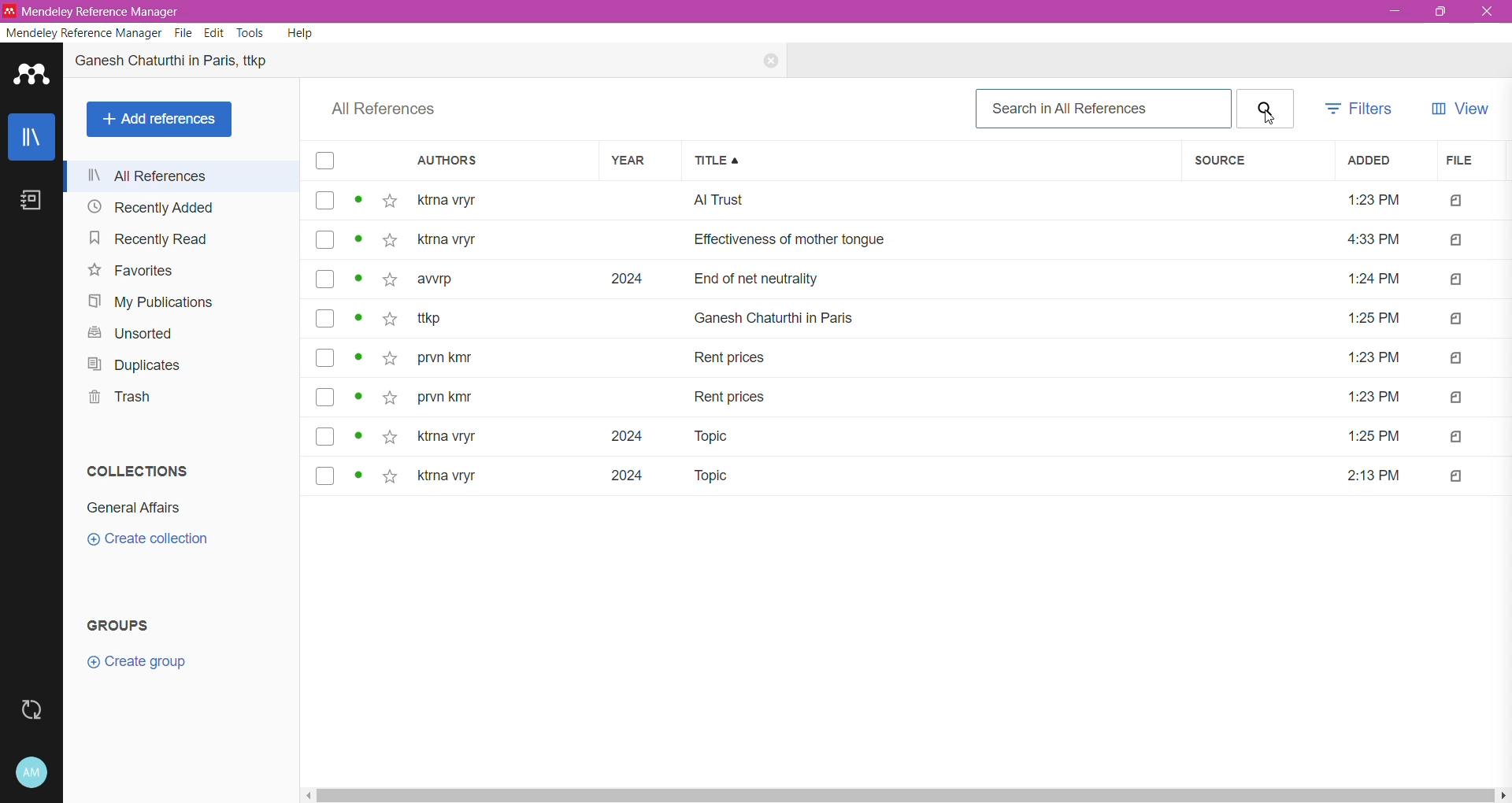 The height and width of the screenshot is (803, 1512). I want to click on Notes, so click(31, 202).